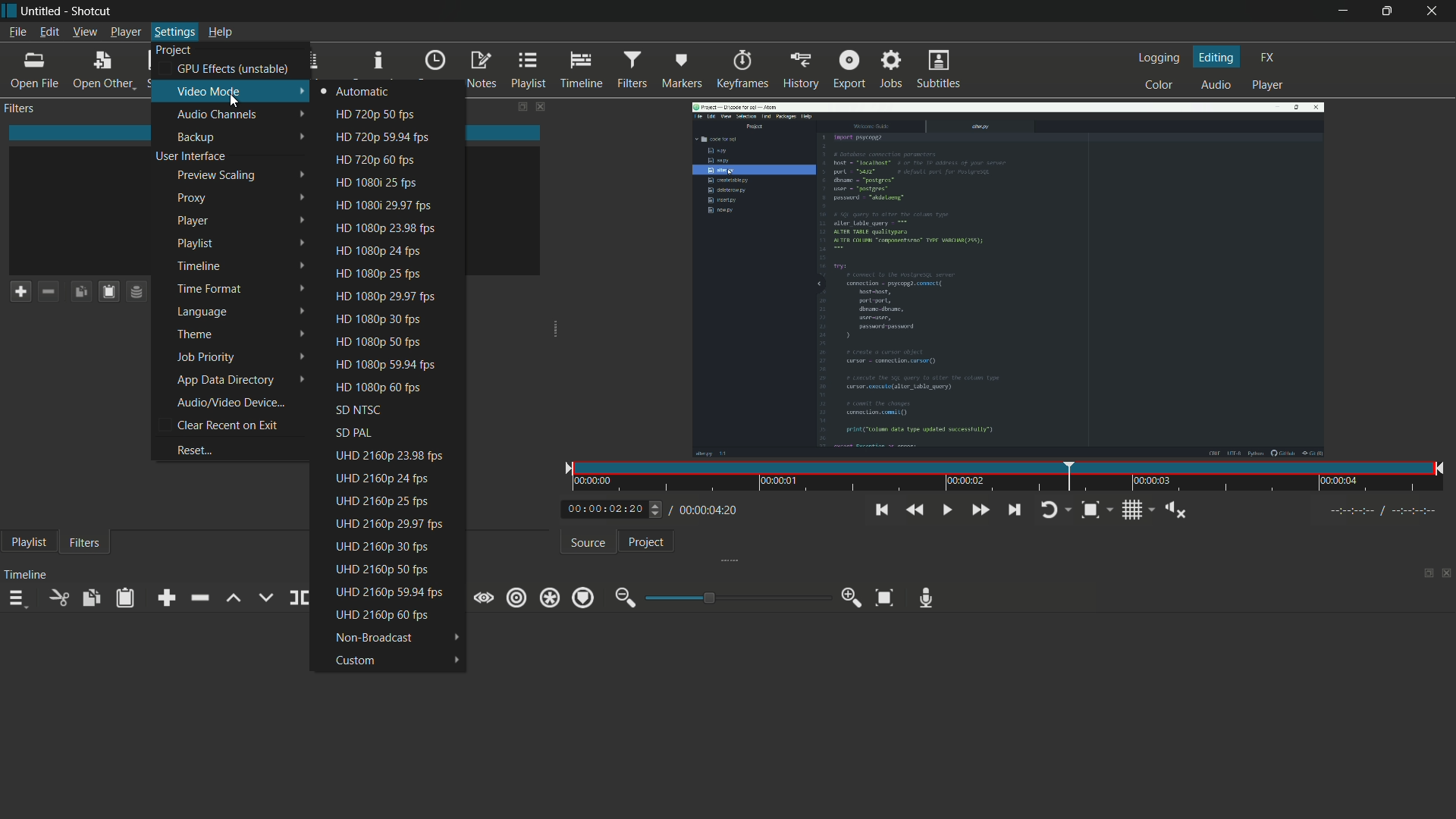 The image size is (1456, 819). What do you see at coordinates (231, 91) in the screenshot?
I see `video mode` at bounding box center [231, 91].